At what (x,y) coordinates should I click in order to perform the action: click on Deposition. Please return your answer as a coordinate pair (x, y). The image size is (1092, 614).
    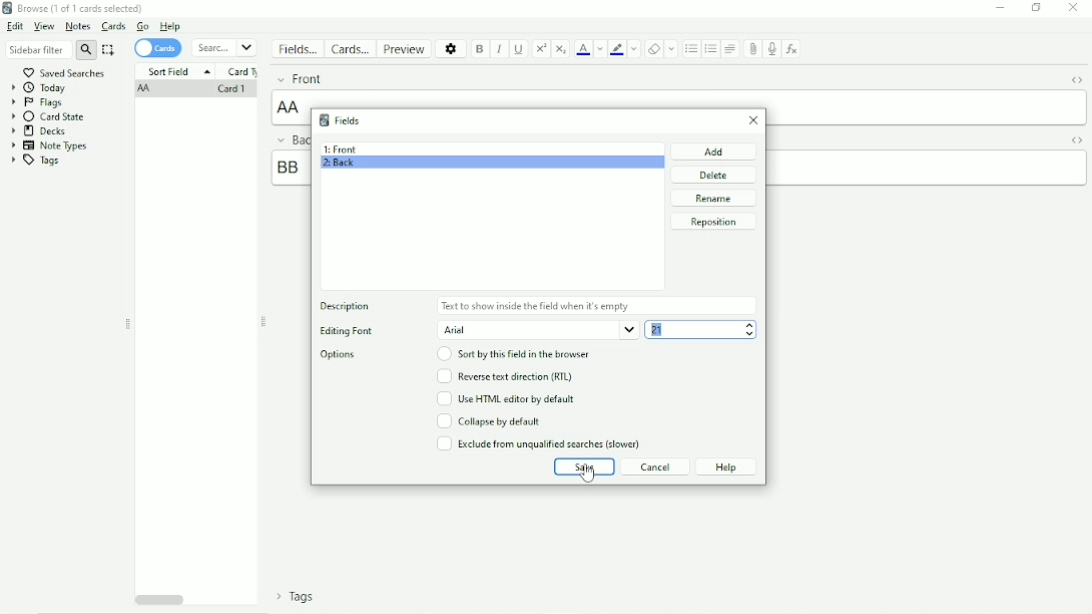
    Looking at the image, I should click on (350, 307).